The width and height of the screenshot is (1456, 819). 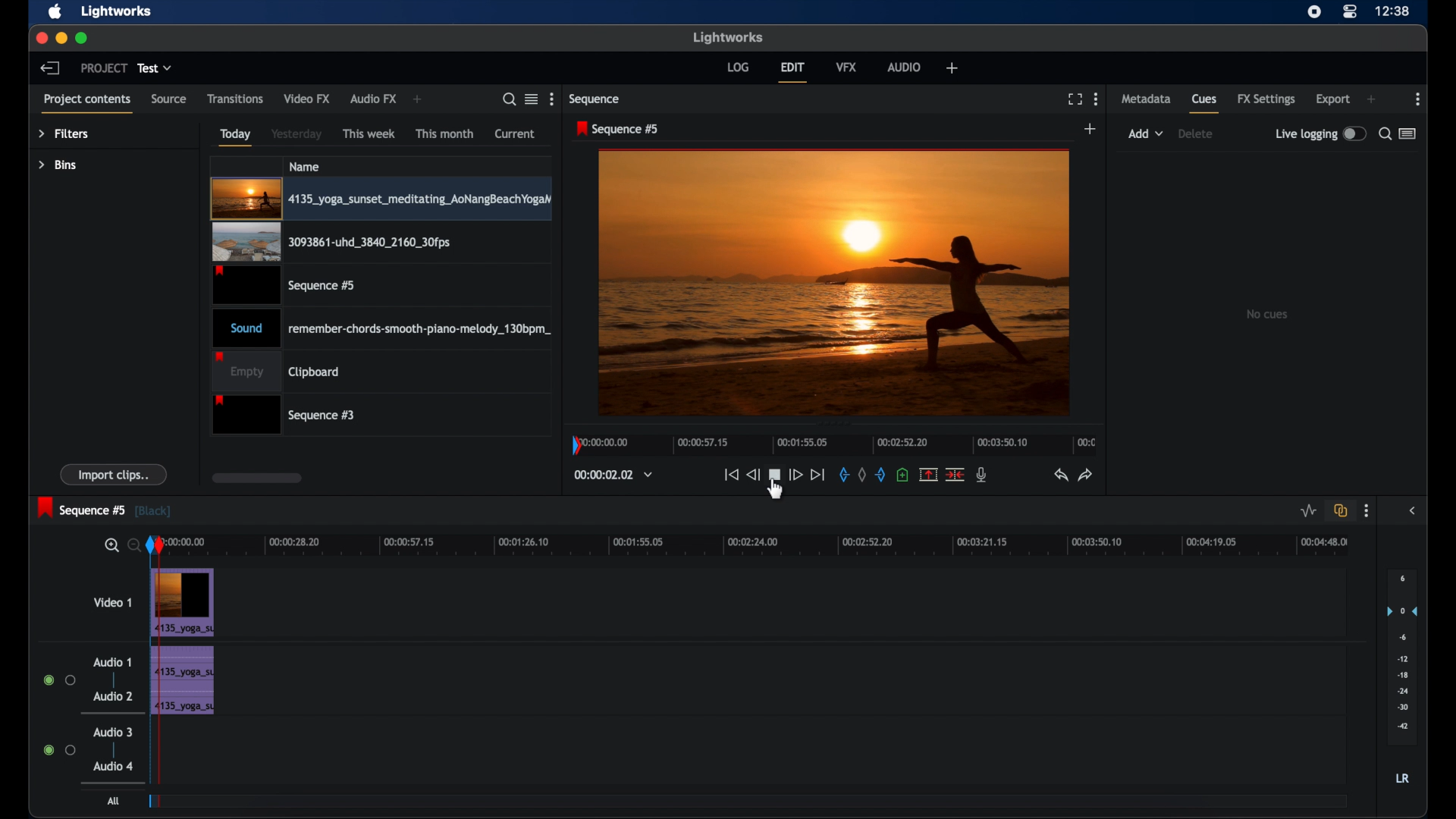 I want to click on vfx, so click(x=846, y=66).